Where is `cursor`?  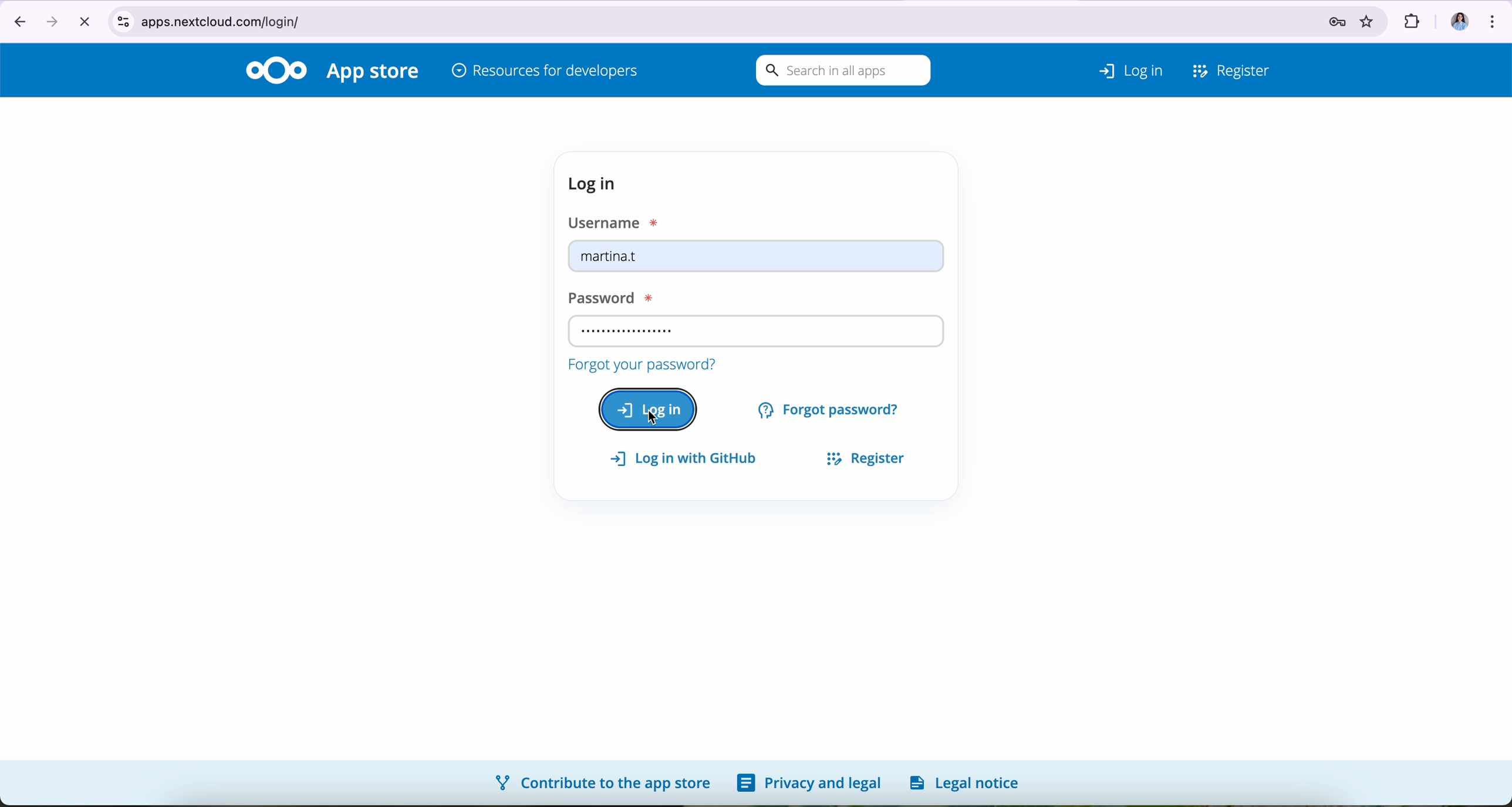
cursor is located at coordinates (657, 421).